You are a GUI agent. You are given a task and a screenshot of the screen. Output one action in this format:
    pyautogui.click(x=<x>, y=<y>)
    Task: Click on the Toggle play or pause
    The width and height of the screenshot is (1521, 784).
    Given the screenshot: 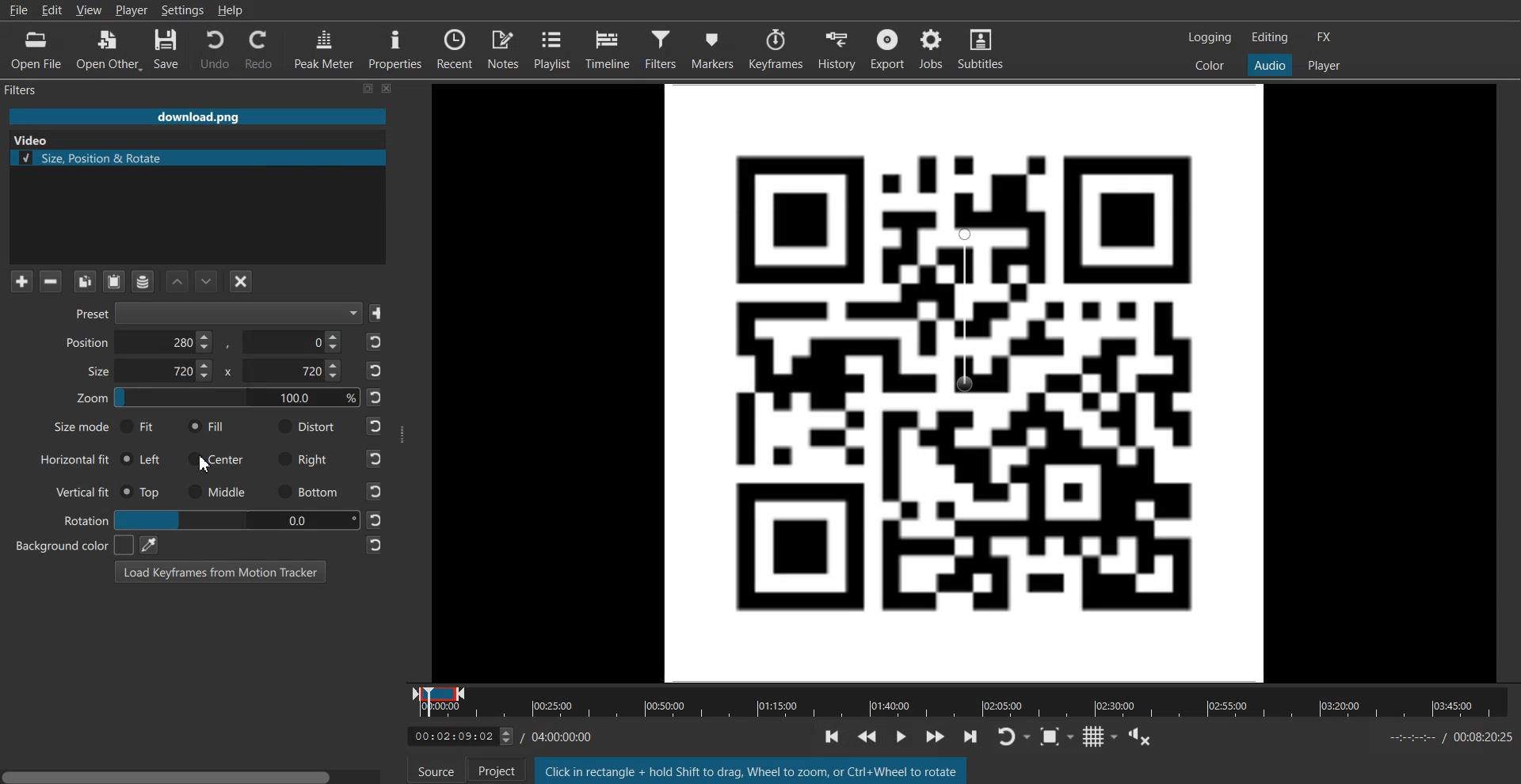 What is the action you would take?
    pyautogui.click(x=903, y=735)
    